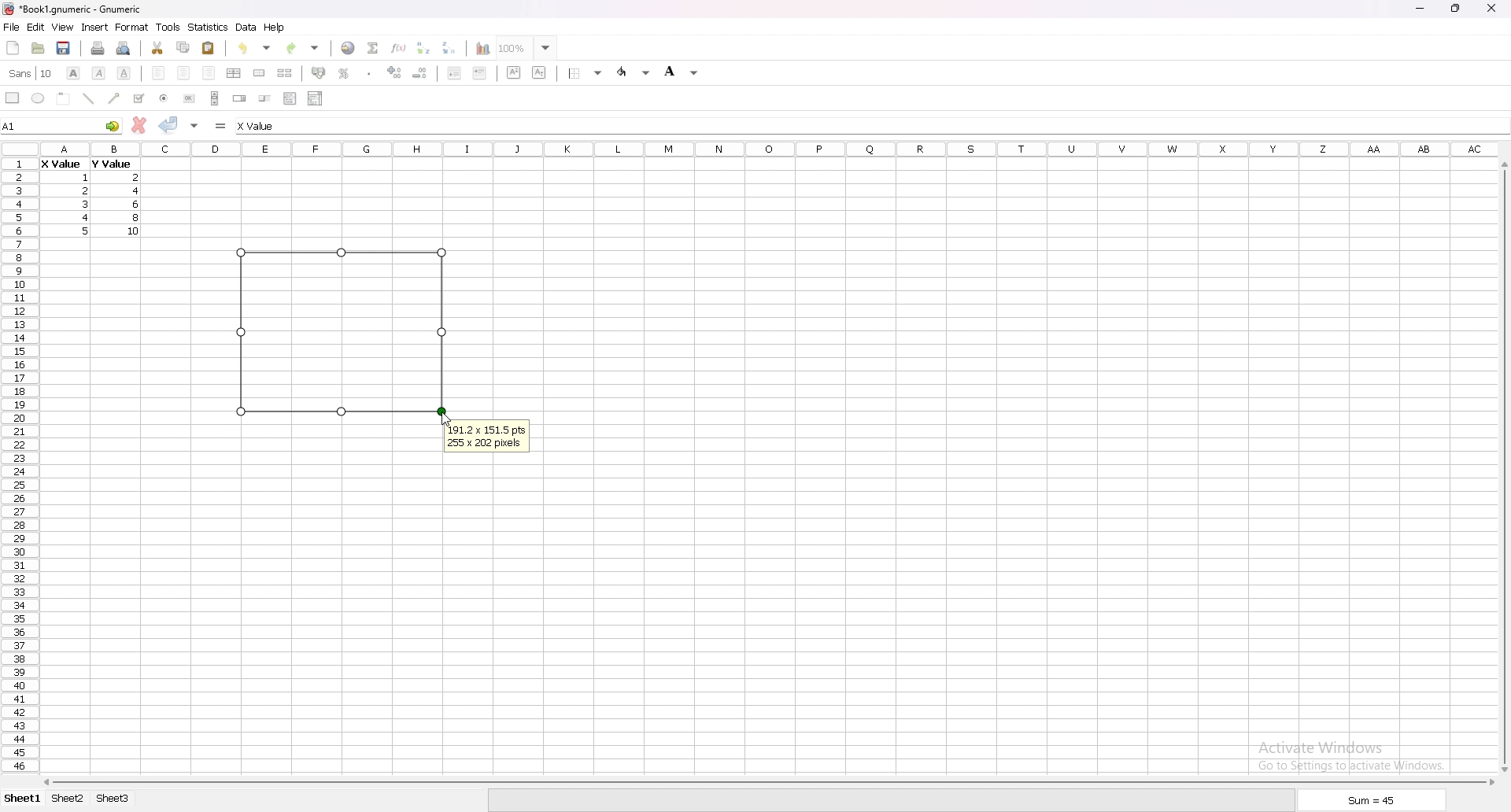 The width and height of the screenshot is (1511, 812). What do you see at coordinates (62, 28) in the screenshot?
I see `view` at bounding box center [62, 28].